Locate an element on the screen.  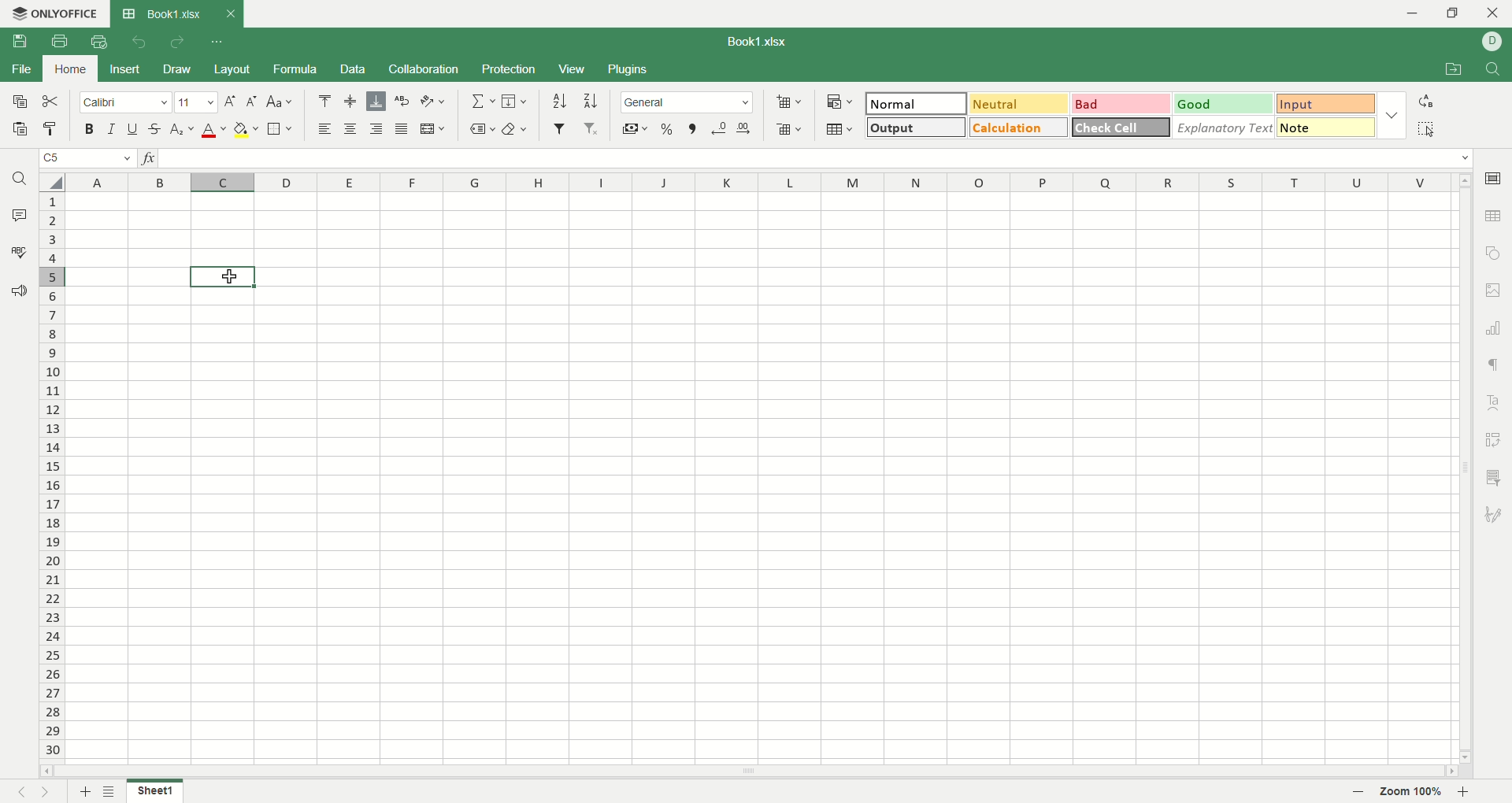
delete cell is located at coordinates (789, 131).